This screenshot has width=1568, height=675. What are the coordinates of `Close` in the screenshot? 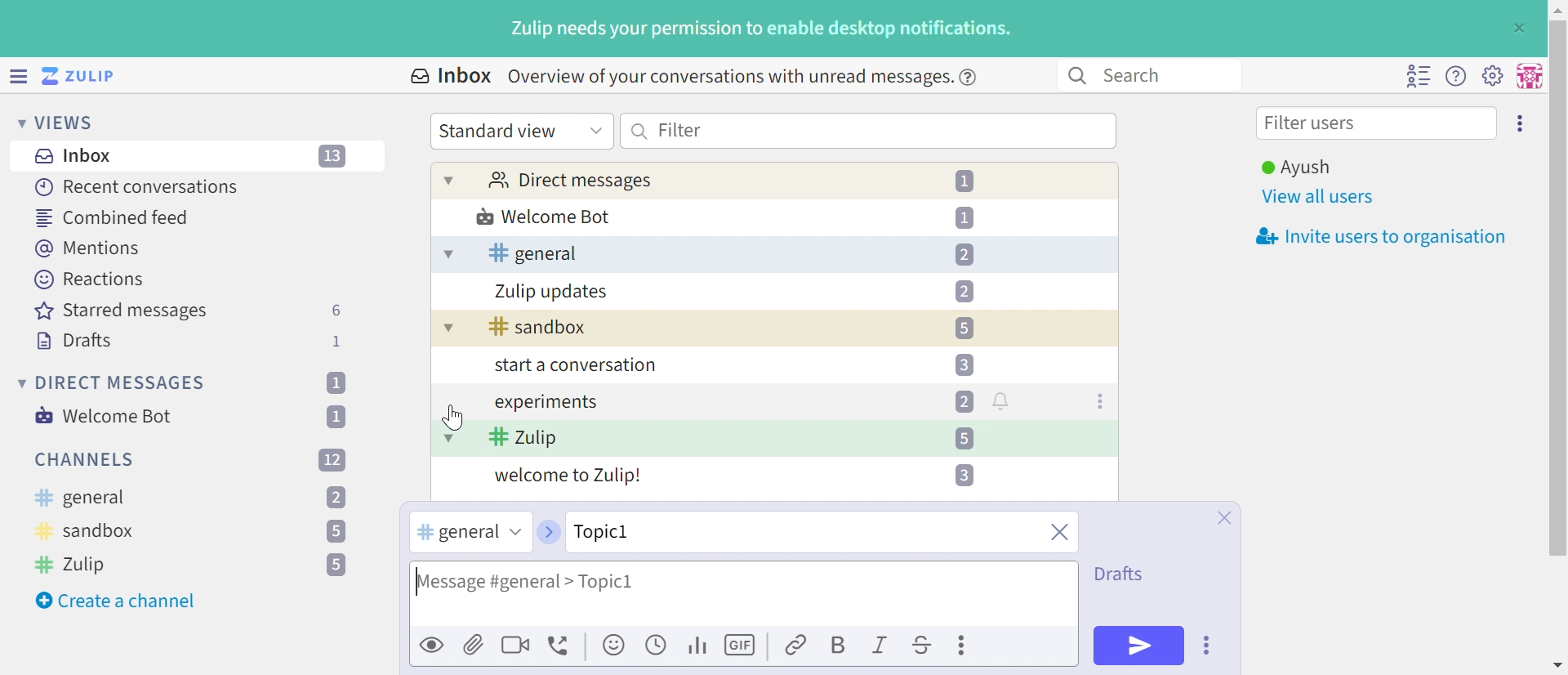 It's located at (1223, 518).